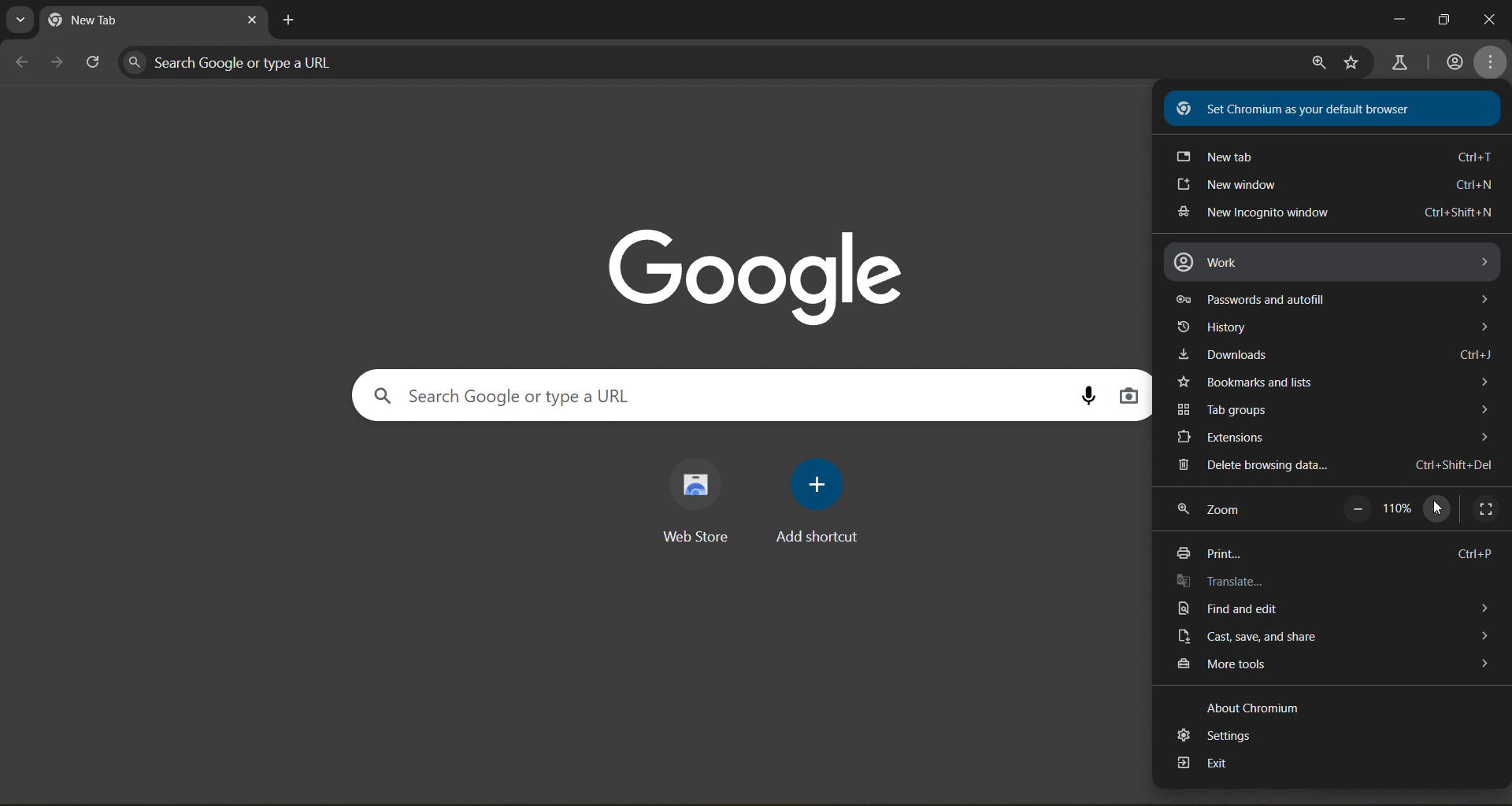 The height and width of the screenshot is (806, 1512). What do you see at coordinates (1320, 106) in the screenshot?
I see `Set Chromium as your default browser` at bounding box center [1320, 106].